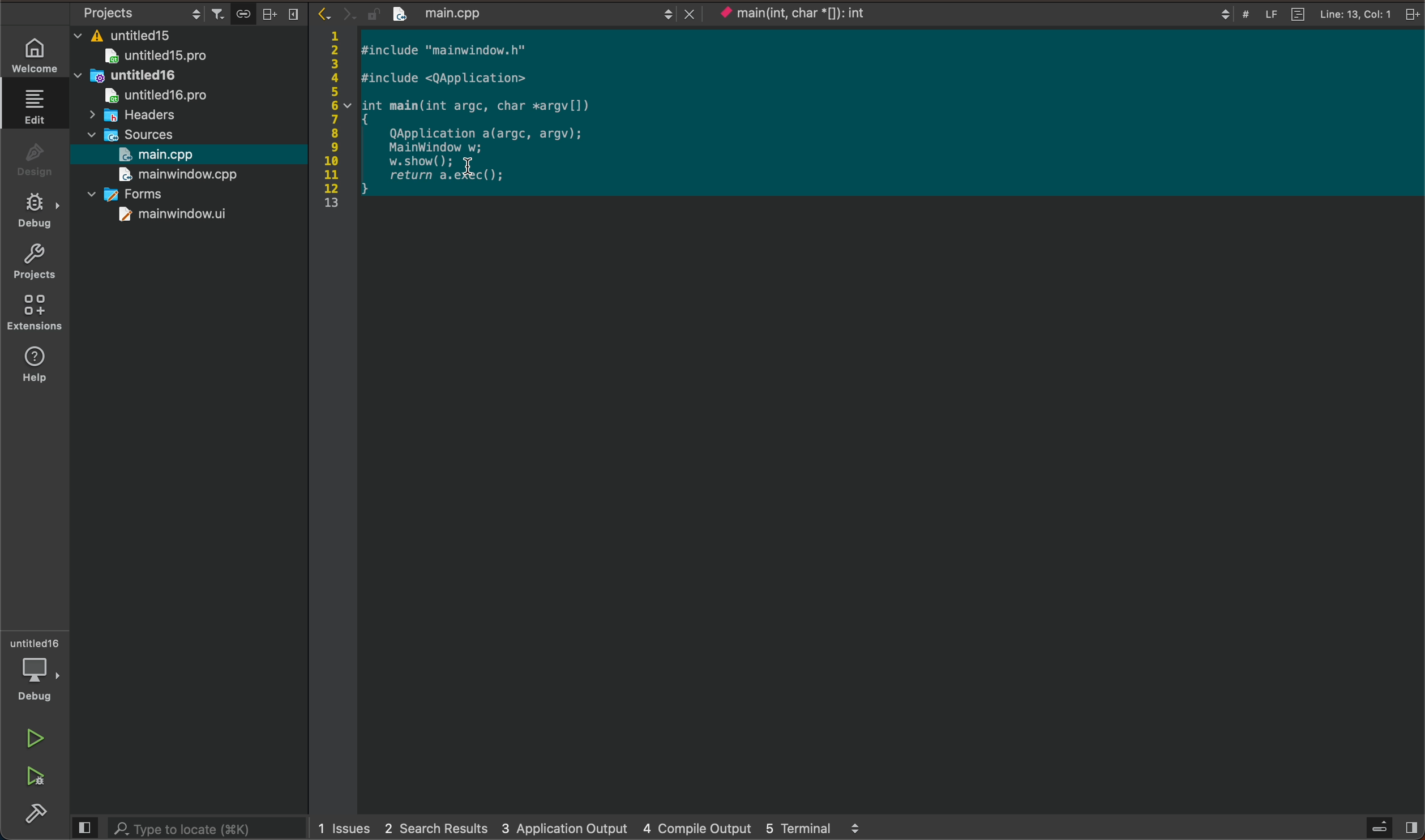 Image resolution: width=1425 pixels, height=840 pixels. What do you see at coordinates (35, 363) in the screenshot?
I see `help` at bounding box center [35, 363].